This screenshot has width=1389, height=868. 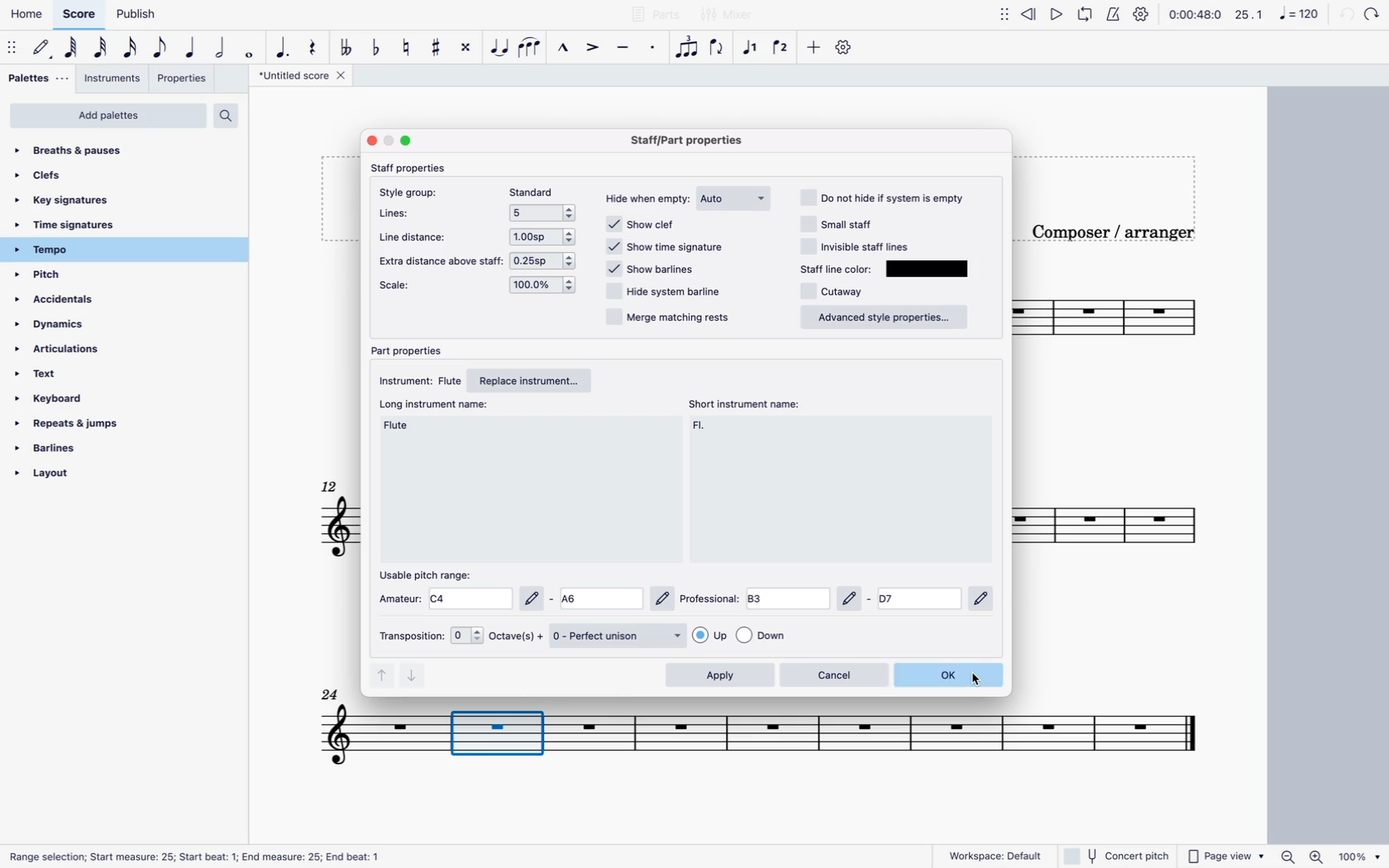 What do you see at coordinates (248, 50) in the screenshot?
I see `whole note` at bounding box center [248, 50].